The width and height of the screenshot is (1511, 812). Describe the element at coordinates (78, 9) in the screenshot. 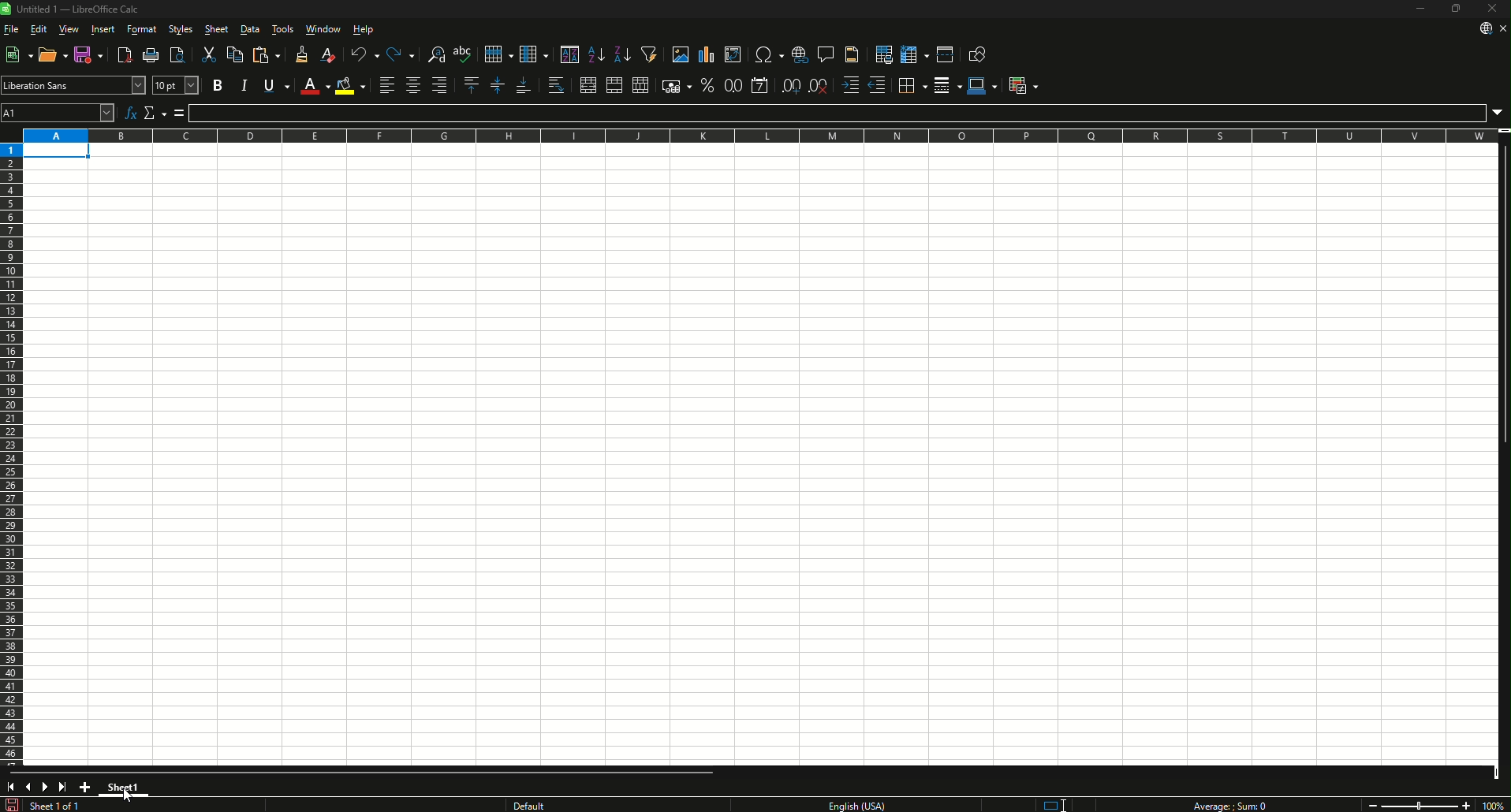

I see `Text` at that location.